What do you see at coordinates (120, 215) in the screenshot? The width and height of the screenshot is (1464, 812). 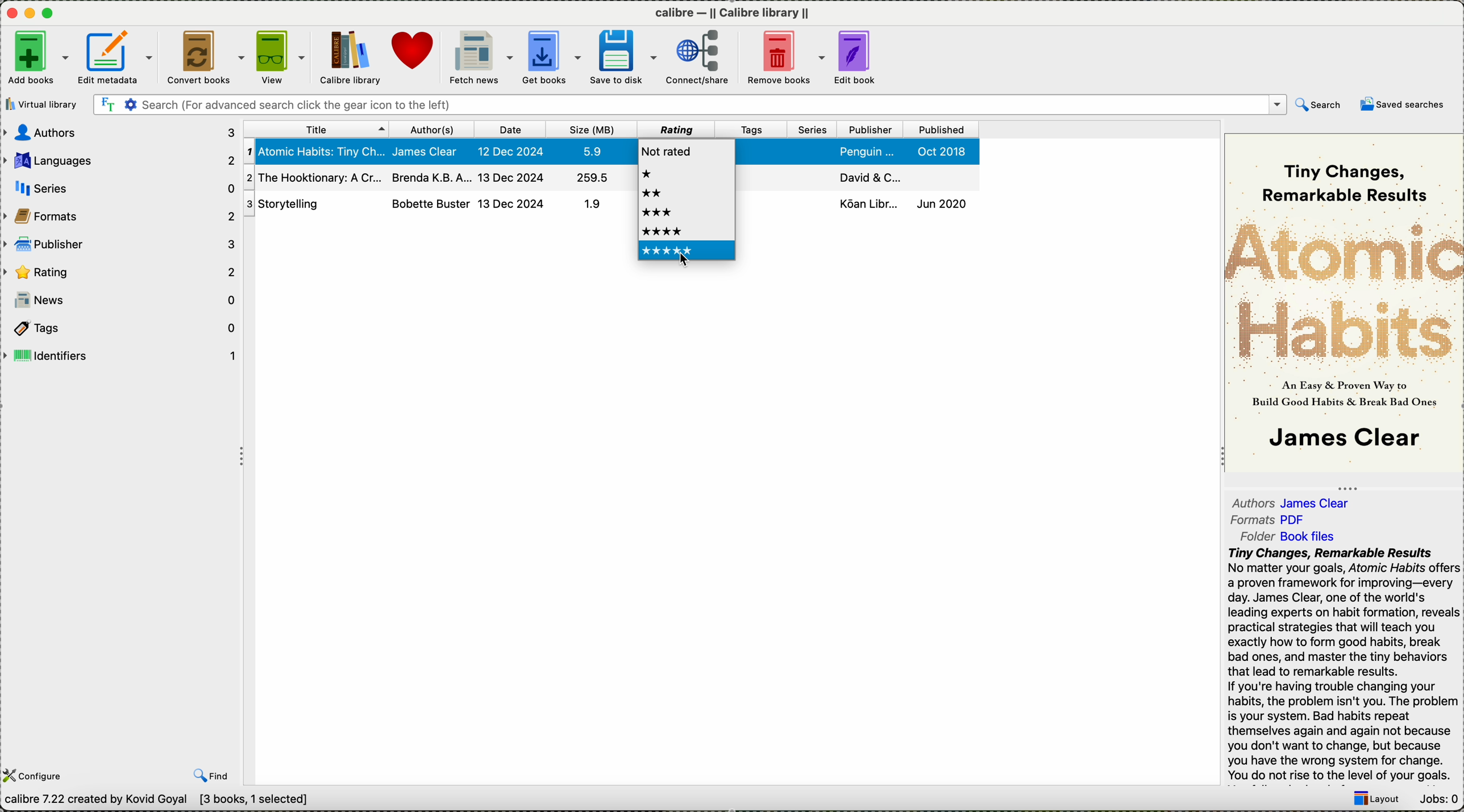 I see `formats` at bounding box center [120, 215].